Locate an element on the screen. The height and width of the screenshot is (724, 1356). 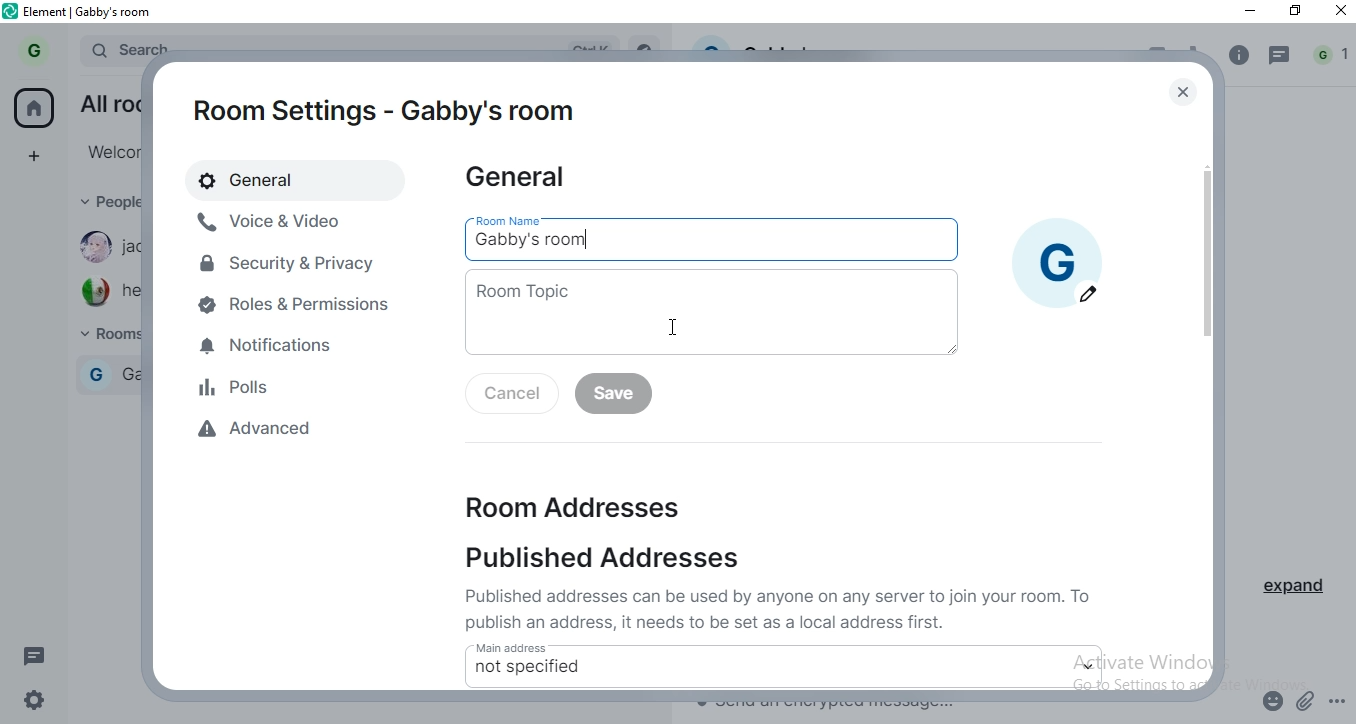
hector73 is located at coordinates (106, 292).